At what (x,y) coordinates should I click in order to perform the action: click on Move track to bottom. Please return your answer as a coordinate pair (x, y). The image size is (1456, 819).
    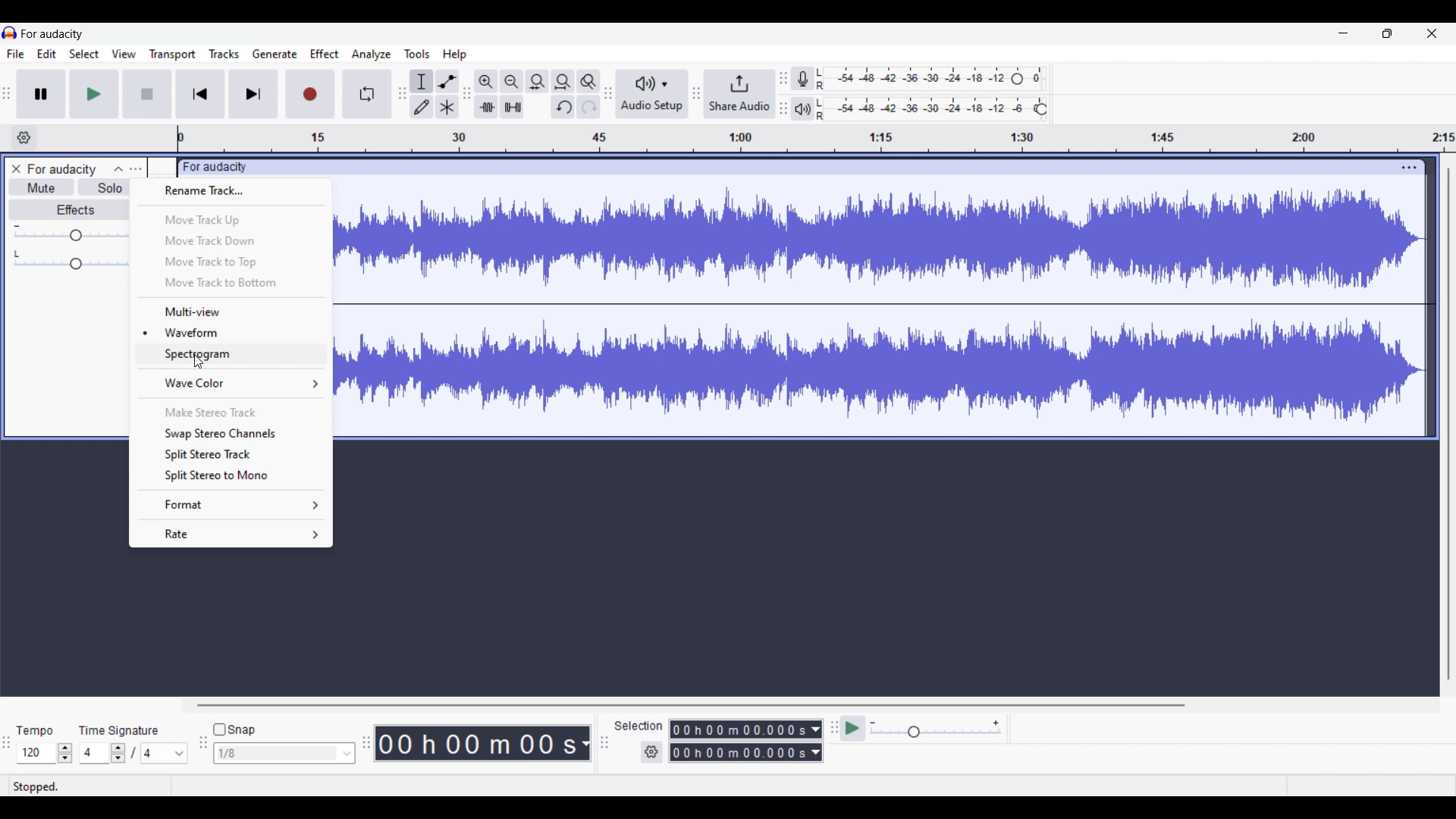
    Looking at the image, I should click on (232, 284).